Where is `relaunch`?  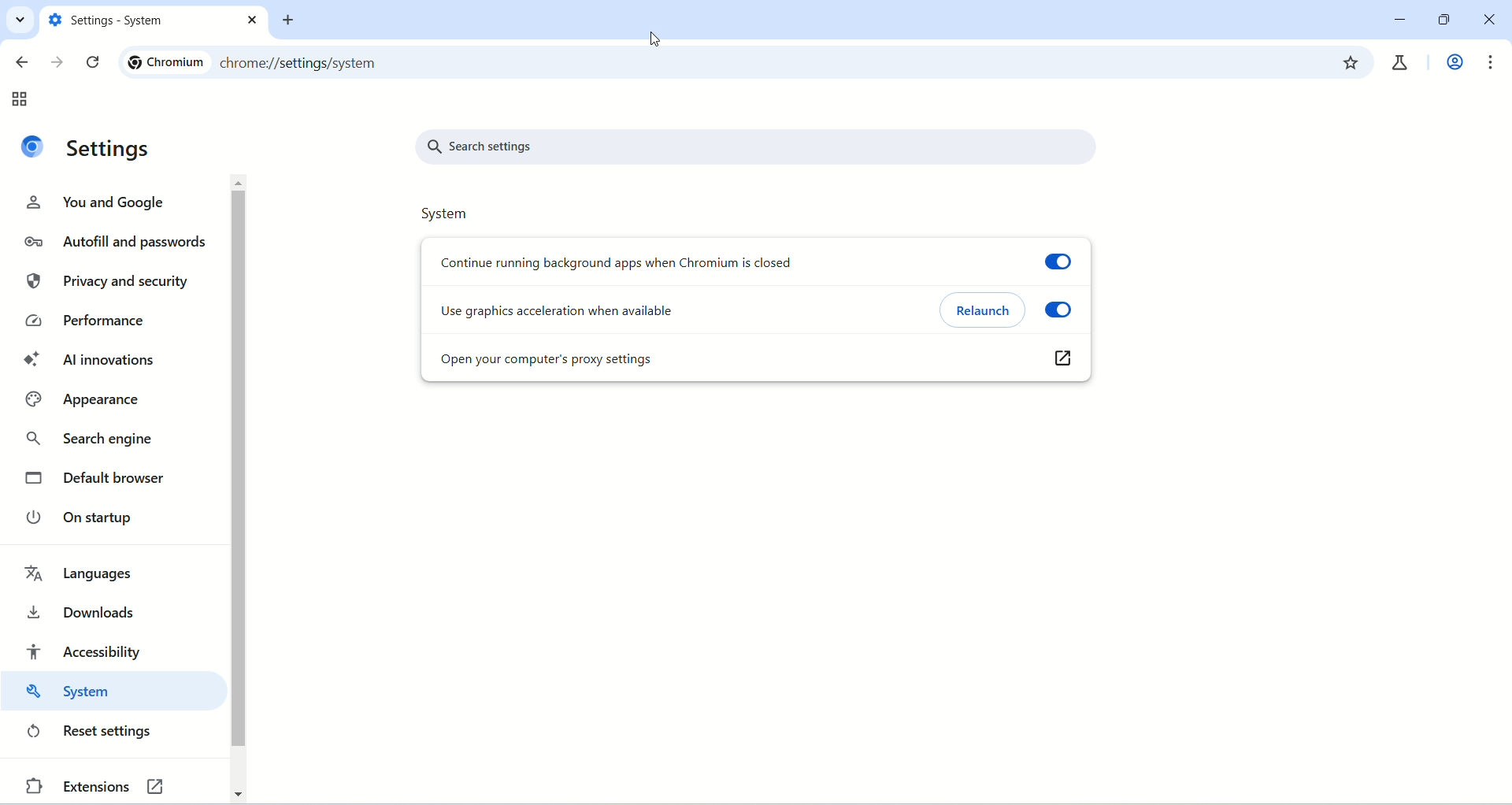 relaunch is located at coordinates (984, 310).